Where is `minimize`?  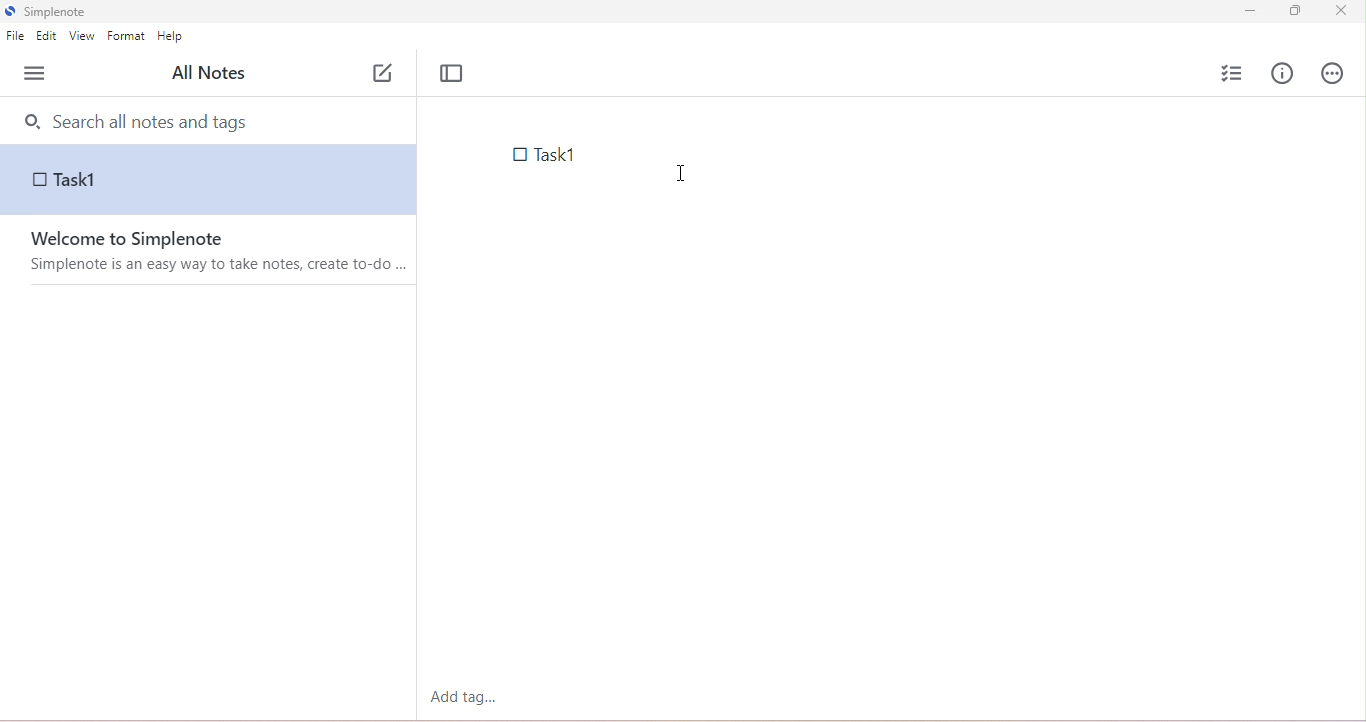 minimize is located at coordinates (1252, 11).